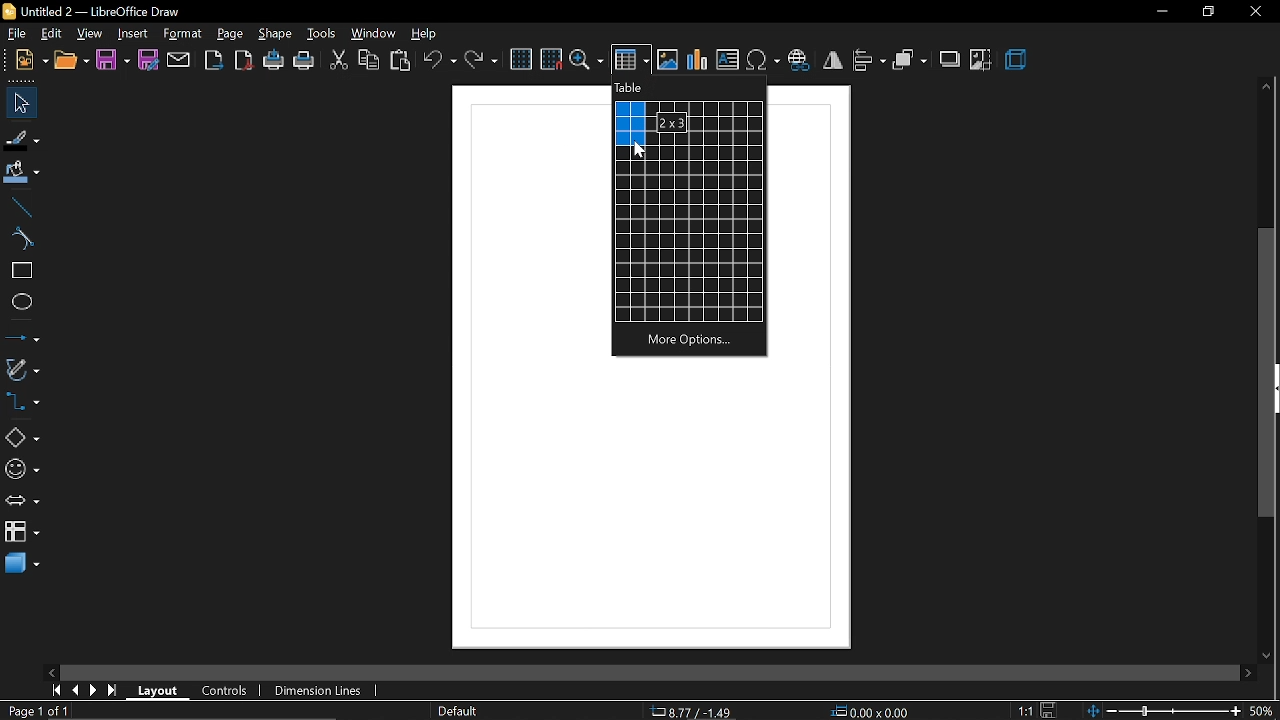 The width and height of the screenshot is (1280, 720). I want to click on 0.00x0.00, so click(872, 712).